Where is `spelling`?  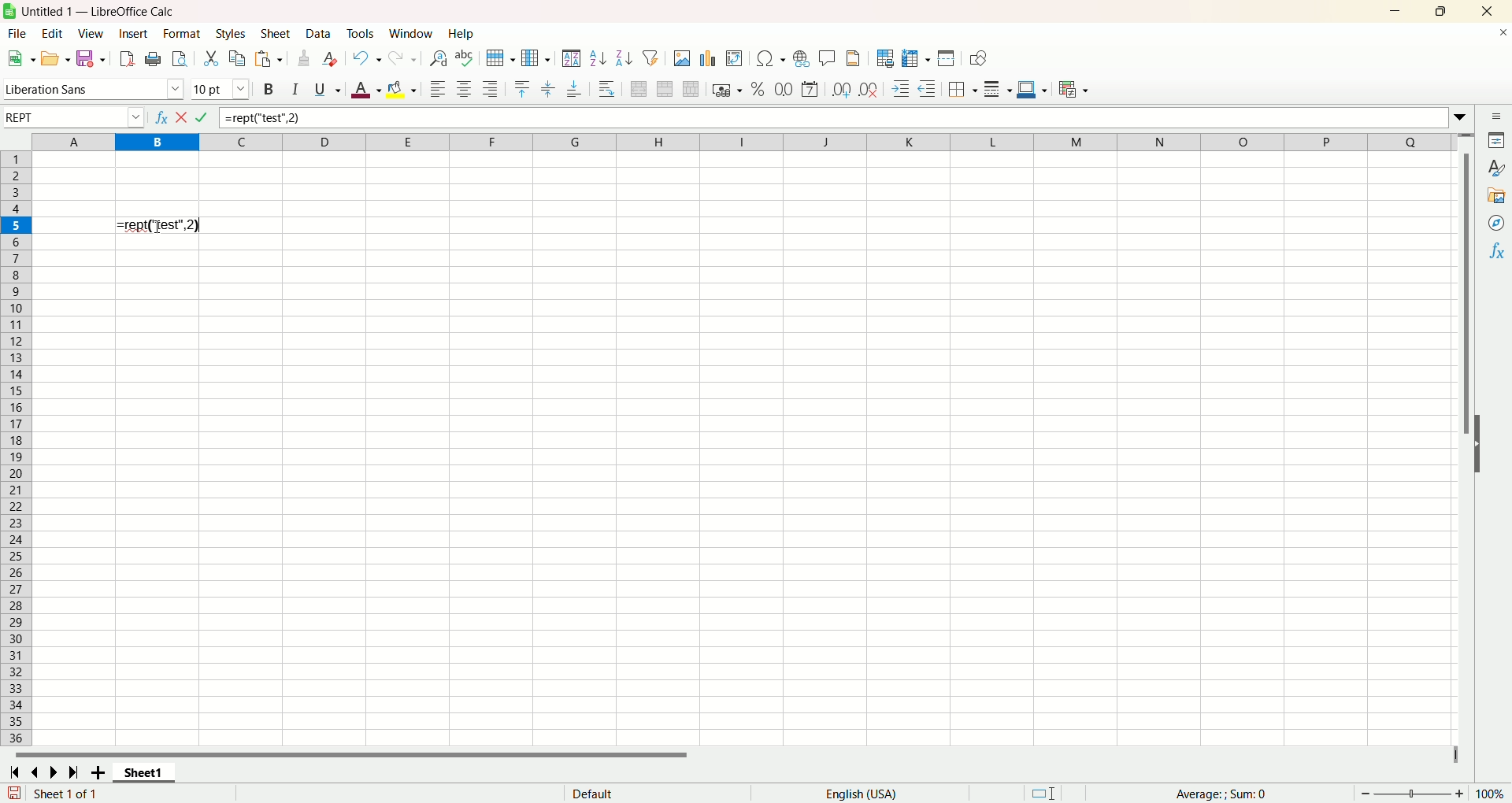 spelling is located at coordinates (464, 58).